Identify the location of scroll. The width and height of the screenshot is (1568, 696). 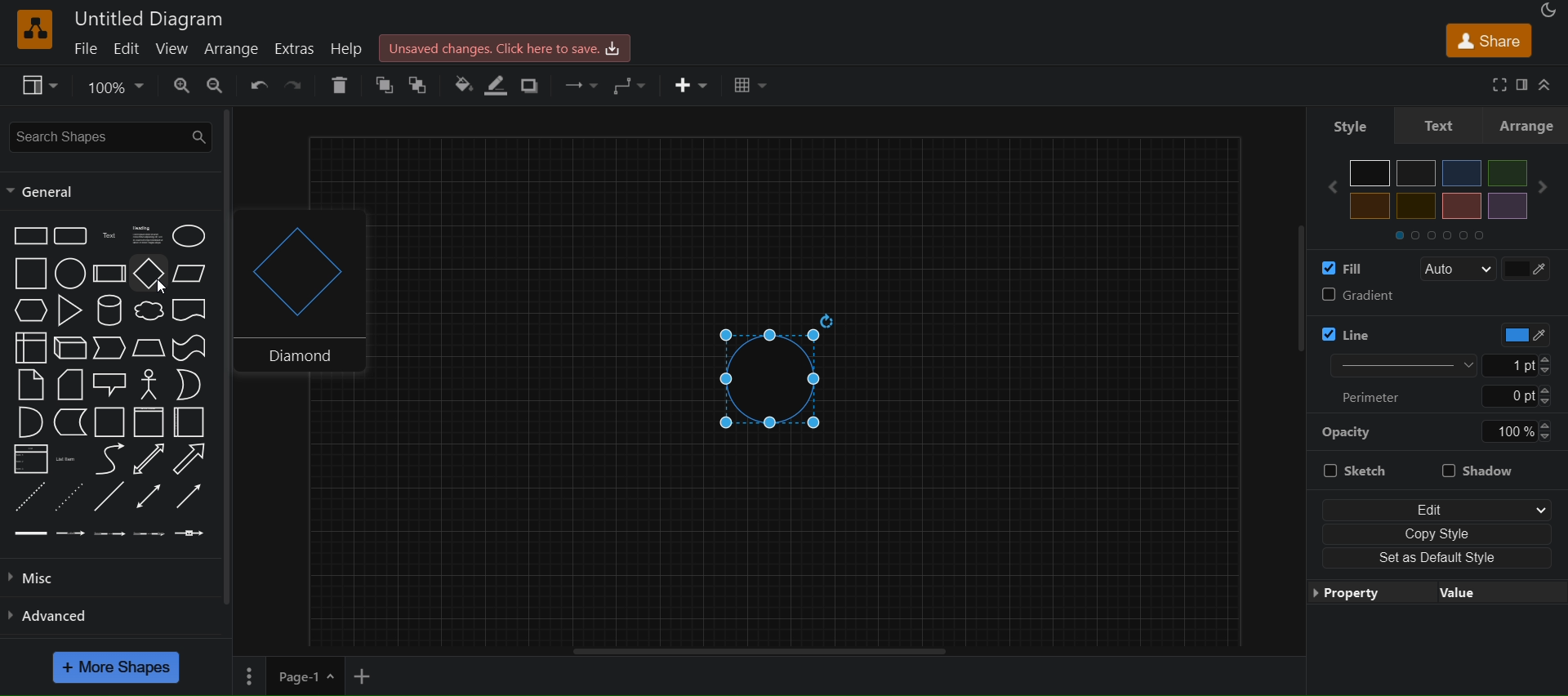
(1285, 307).